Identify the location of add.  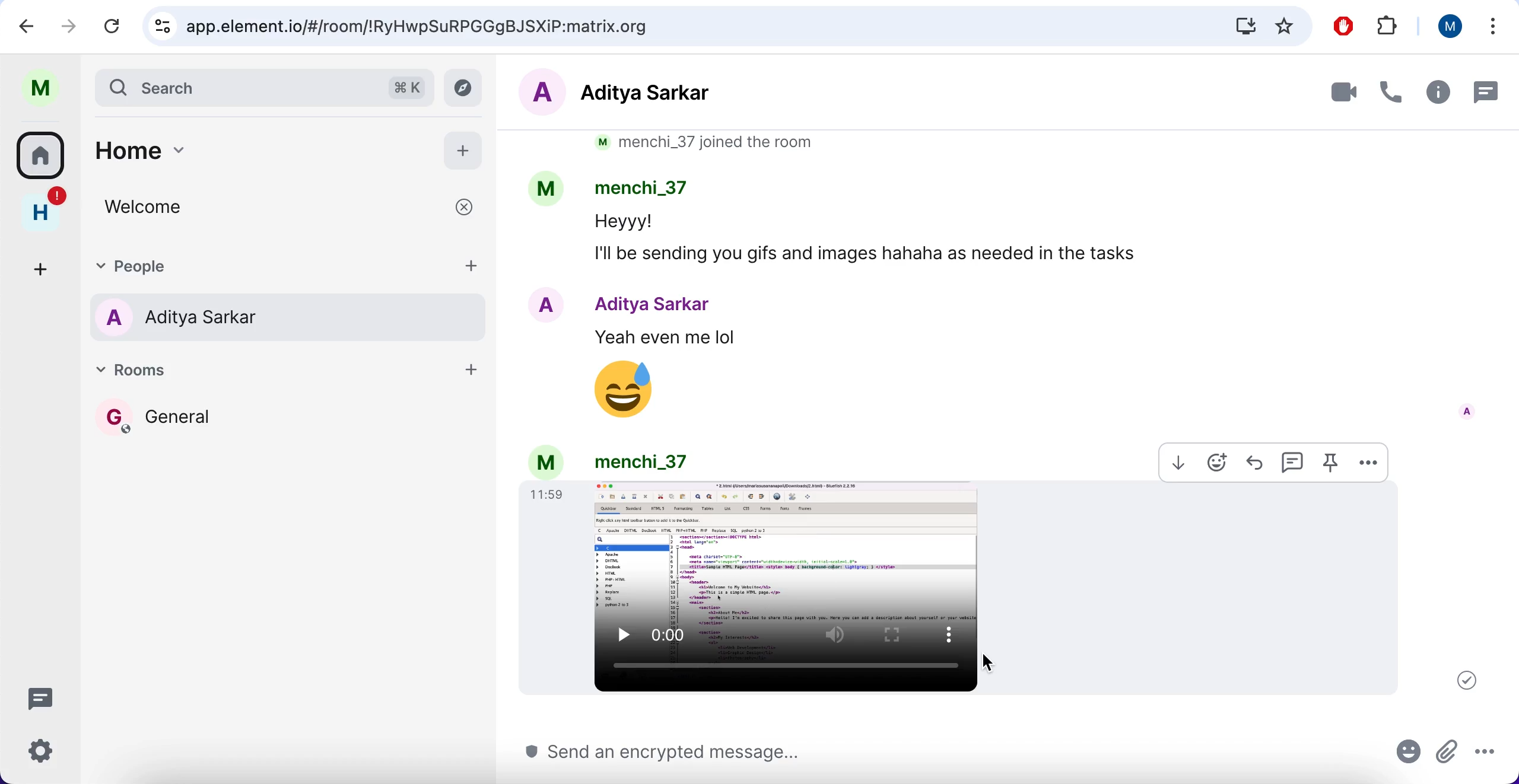
(466, 152).